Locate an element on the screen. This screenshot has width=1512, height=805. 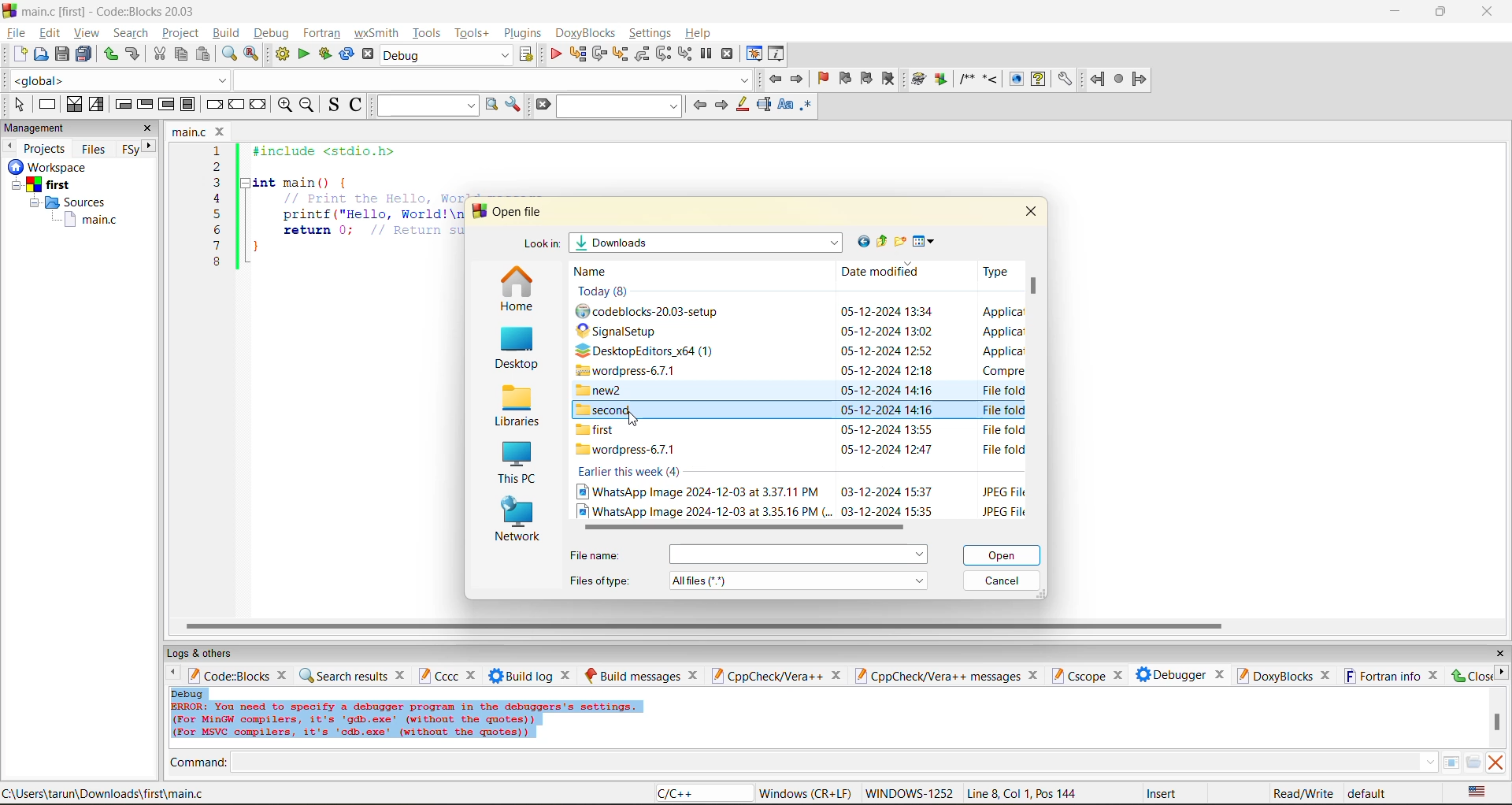
highlight is located at coordinates (741, 106).